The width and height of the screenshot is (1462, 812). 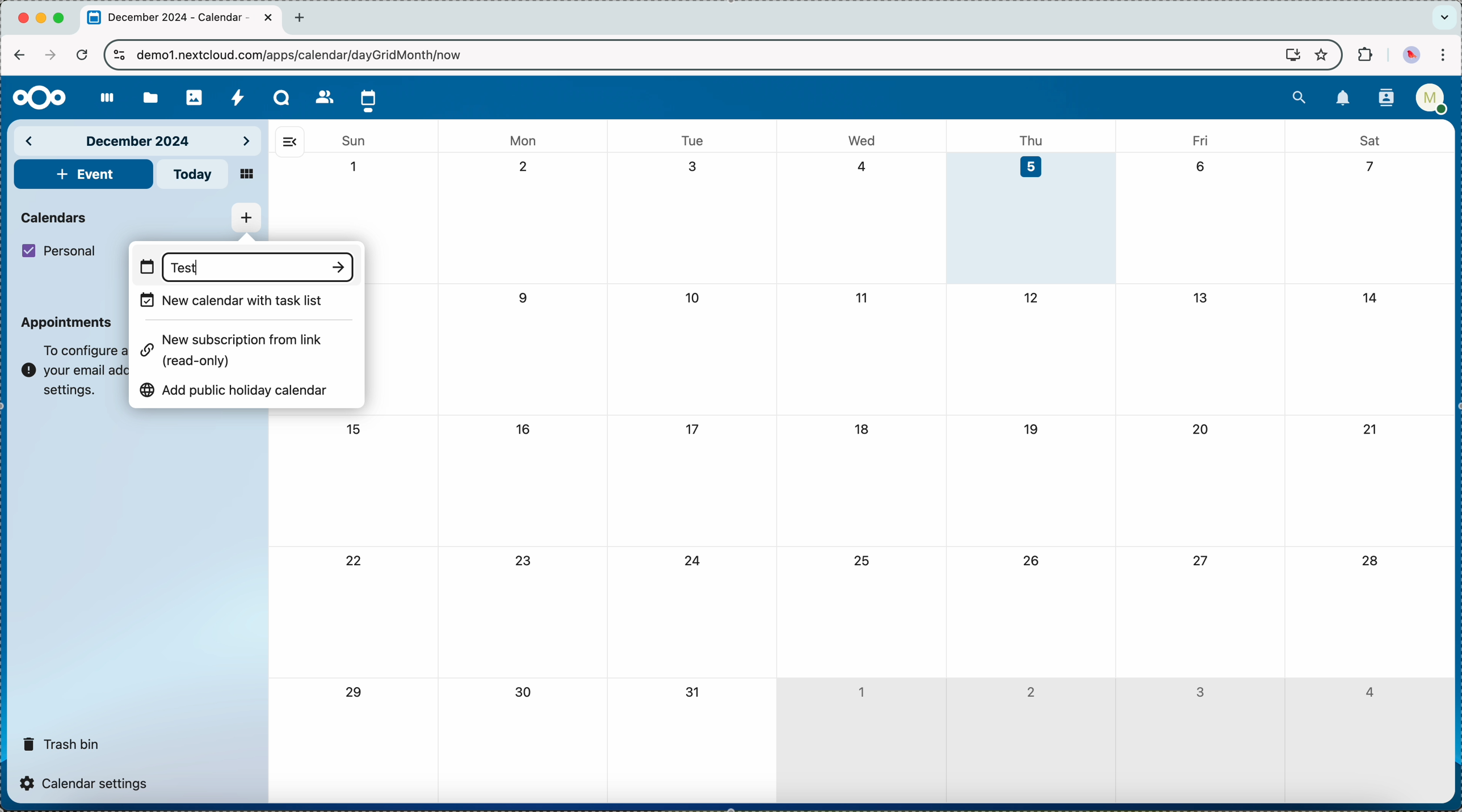 I want to click on 28, so click(x=1369, y=562).